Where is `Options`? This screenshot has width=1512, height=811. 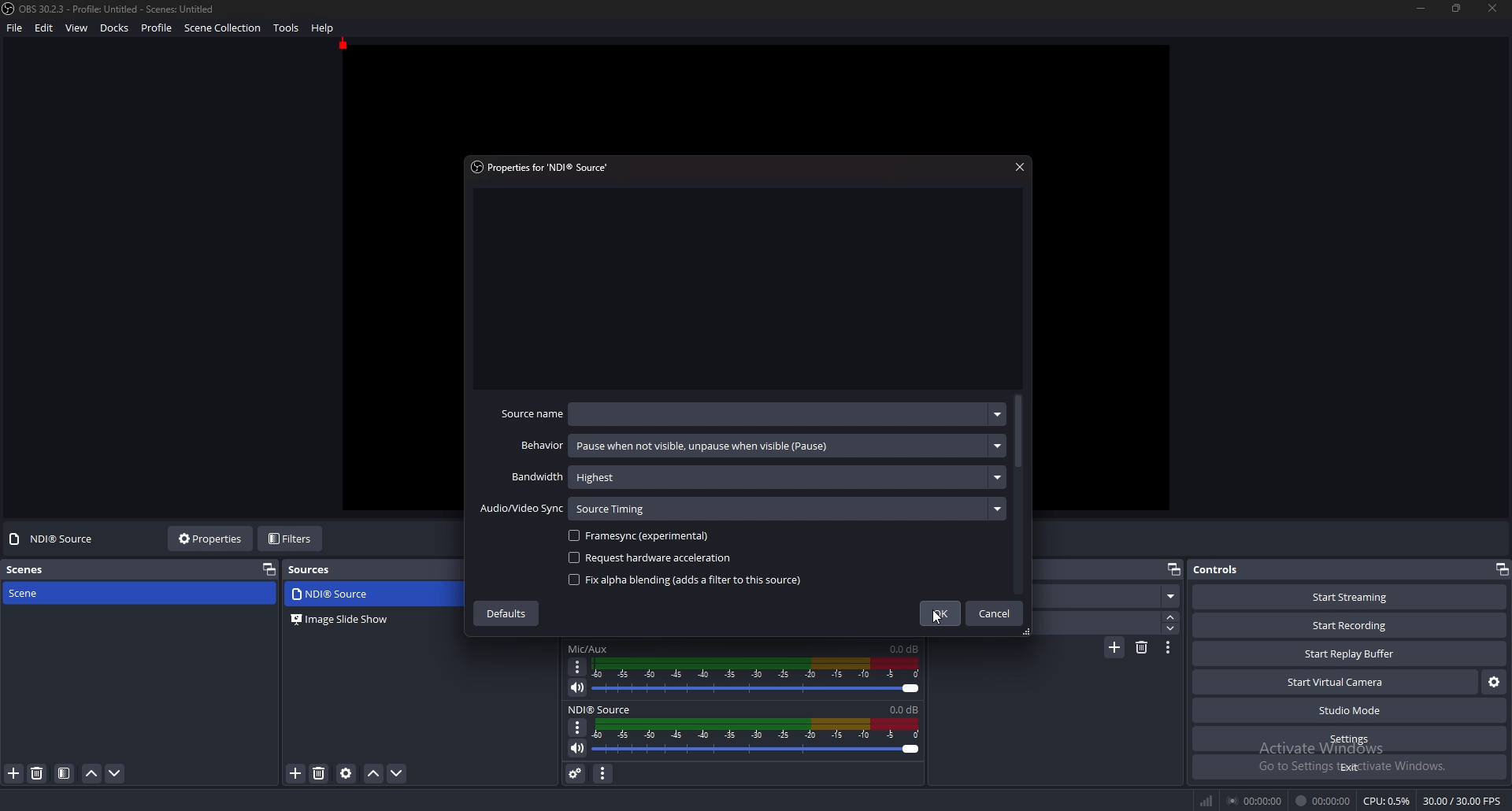
Options is located at coordinates (576, 728).